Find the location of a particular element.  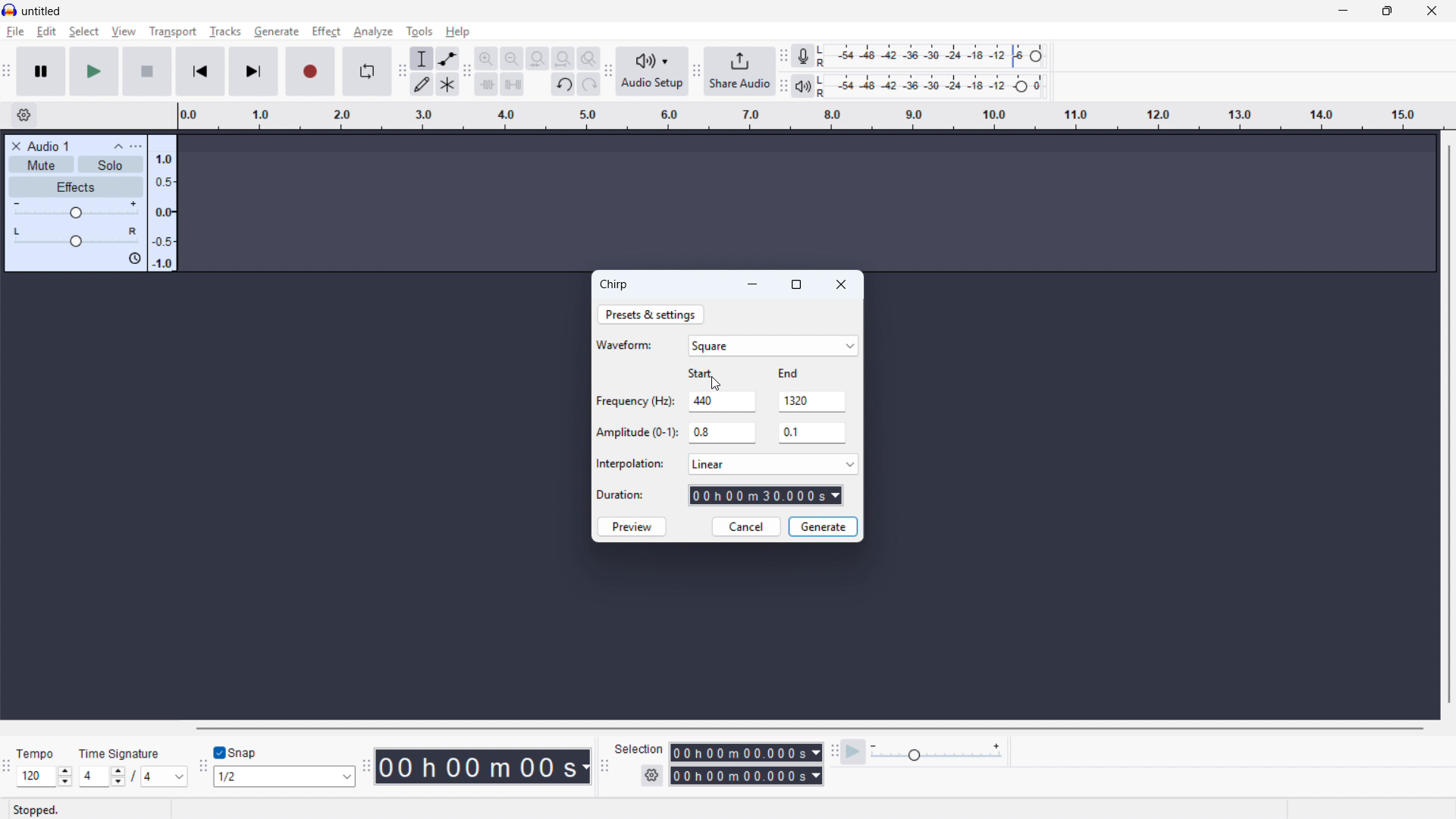

Generate  is located at coordinates (276, 31).